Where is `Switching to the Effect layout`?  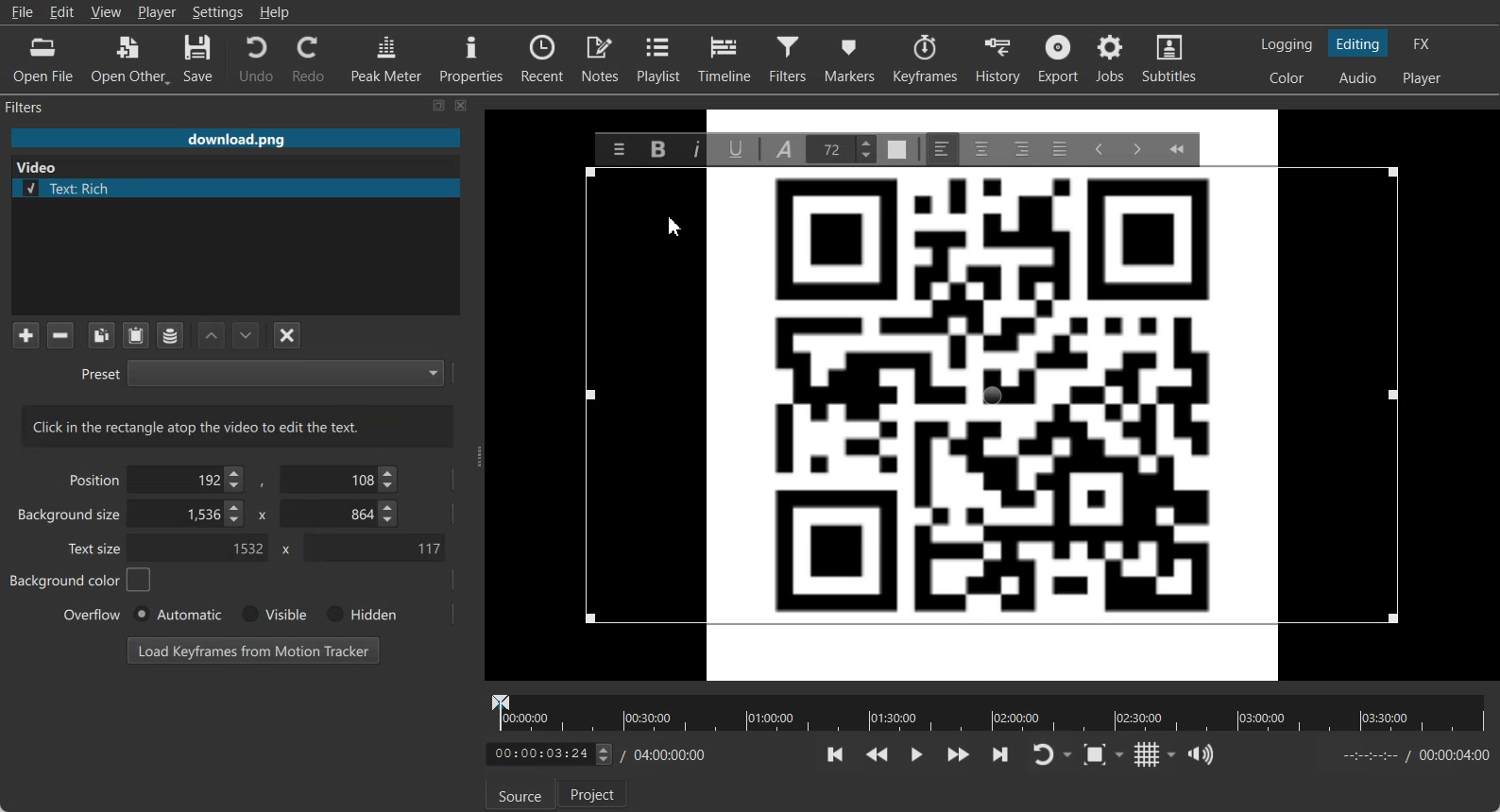
Switching to the Effect layout is located at coordinates (1423, 43).